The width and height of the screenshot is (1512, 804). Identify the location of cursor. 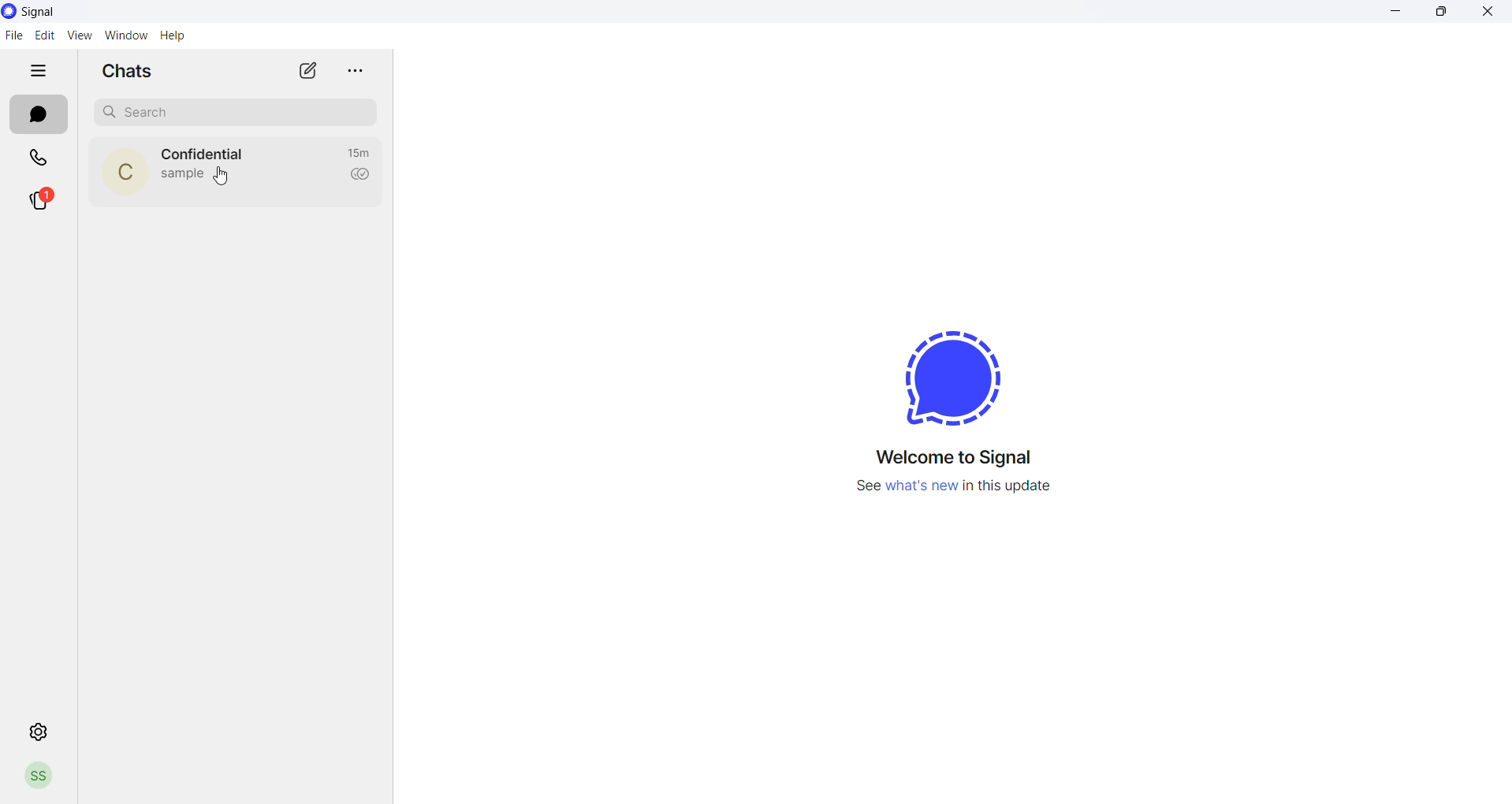
(225, 179).